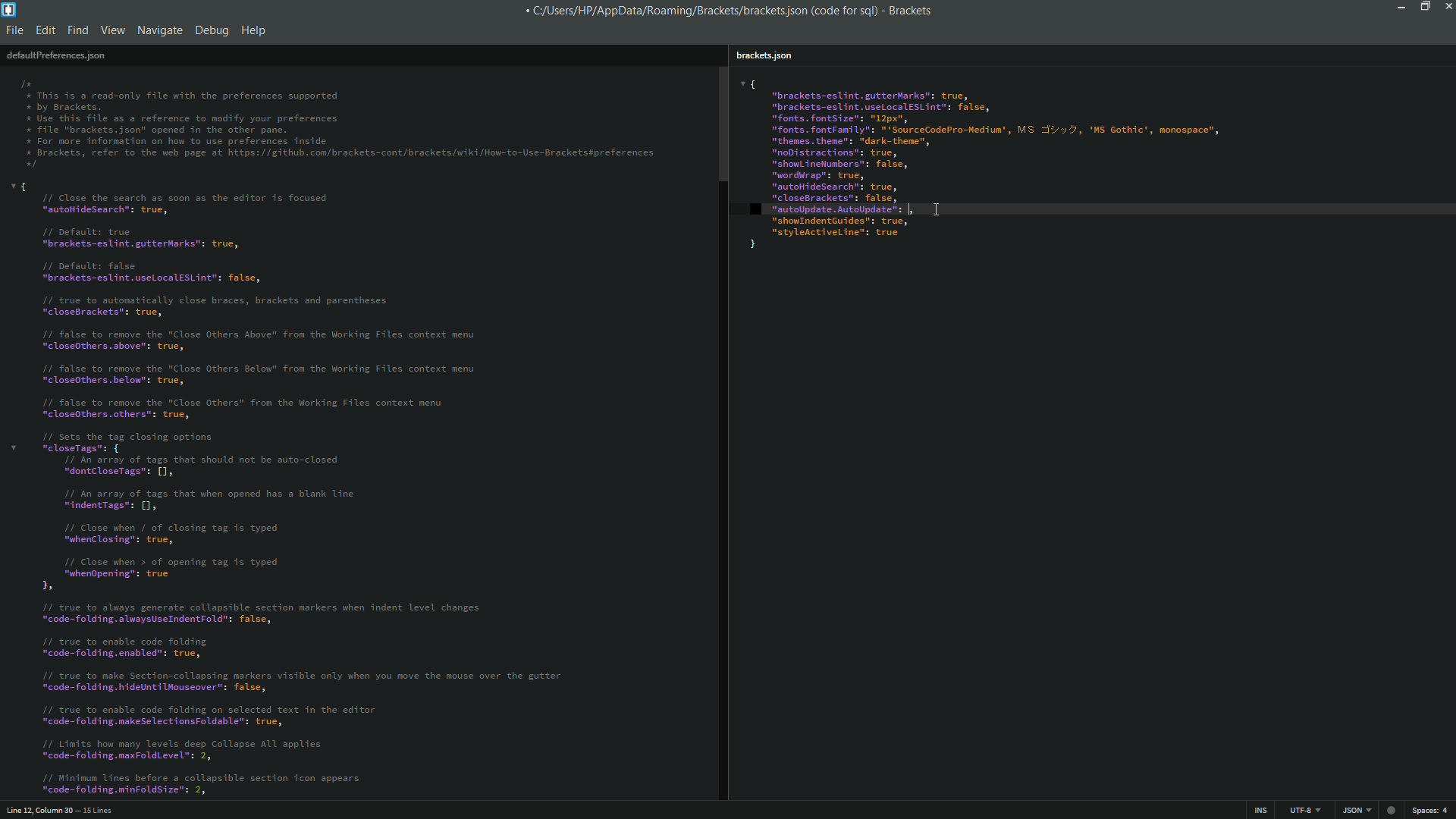 The height and width of the screenshot is (819, 1456). What do you see at coordinates (1423, 7) in the screenshot?
I see `maximize` at bounding box center [1423, 7].